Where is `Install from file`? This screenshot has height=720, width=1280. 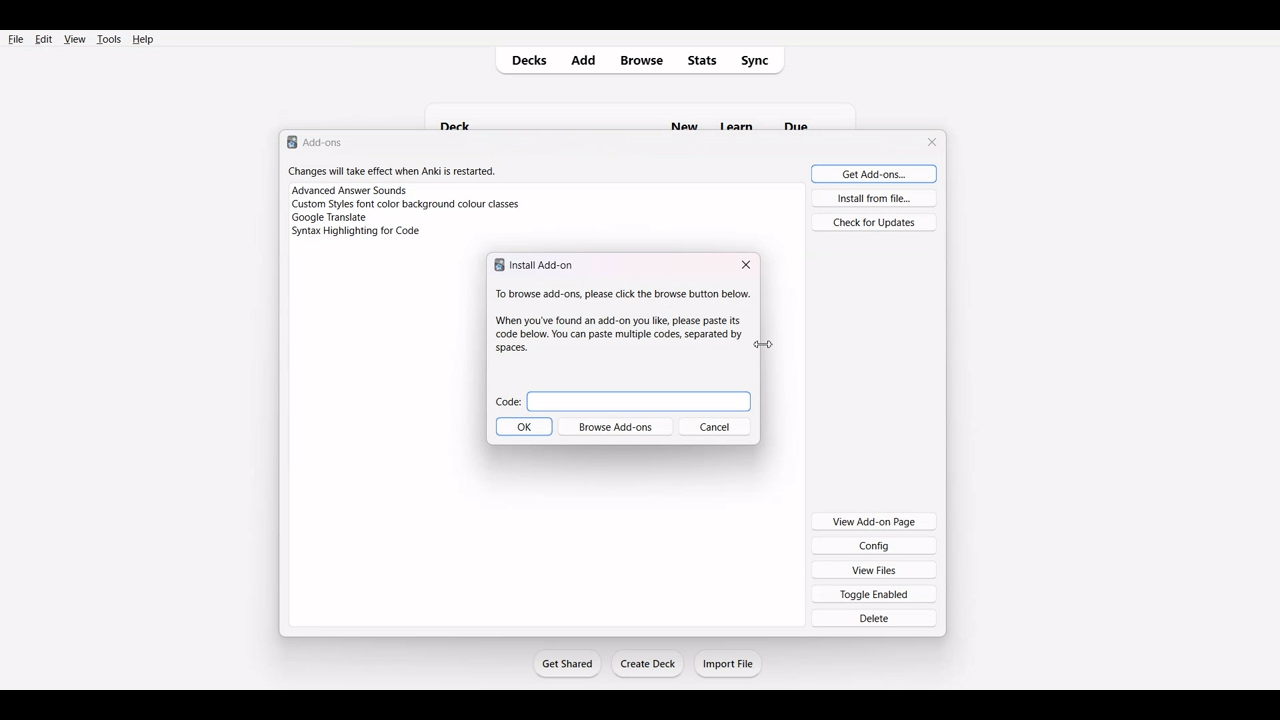 Install from file is located at coordinates (873, 198).